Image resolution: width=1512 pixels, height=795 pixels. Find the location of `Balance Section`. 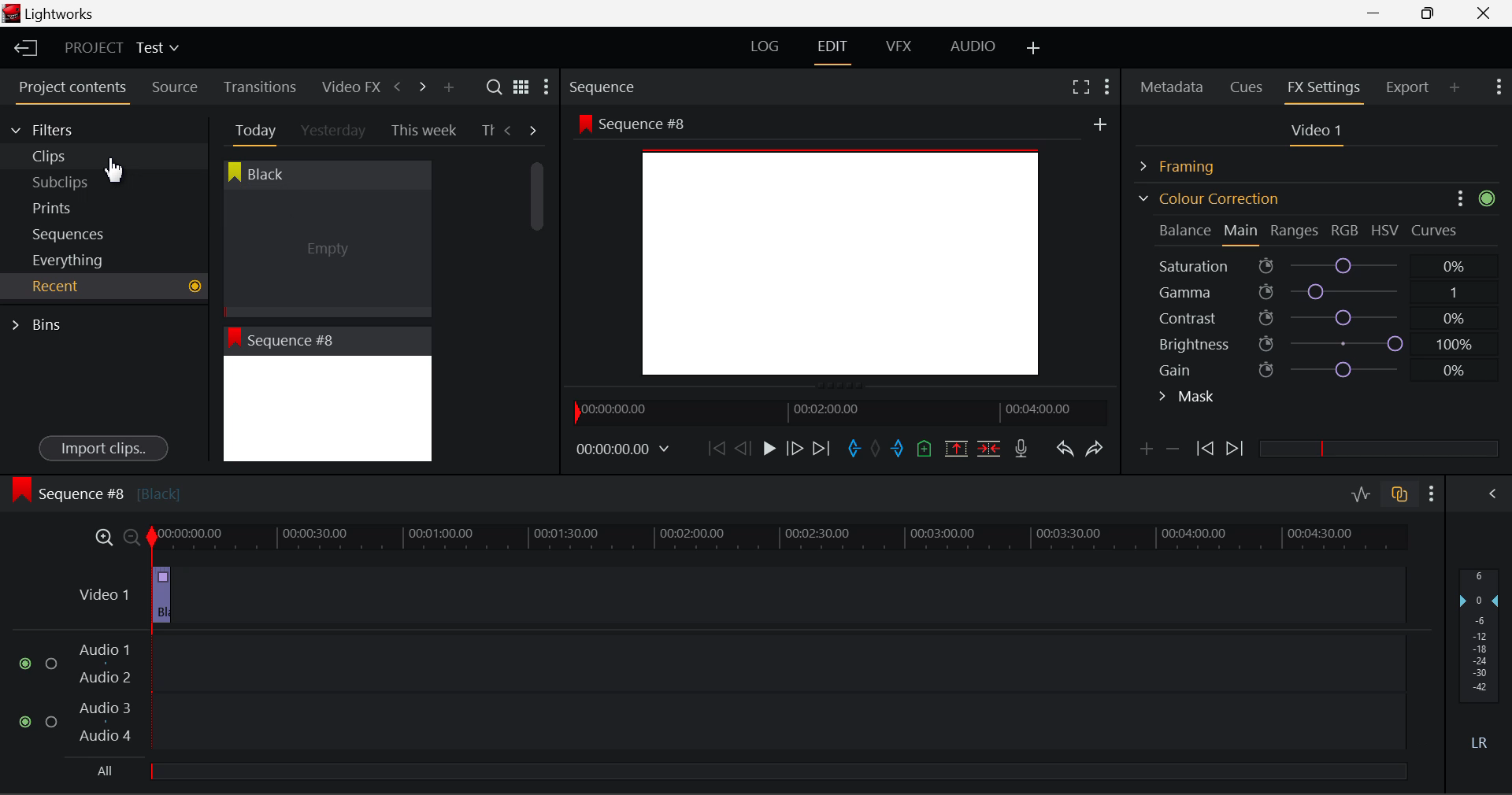

Balance Section is located at coordinates (1187, 230).